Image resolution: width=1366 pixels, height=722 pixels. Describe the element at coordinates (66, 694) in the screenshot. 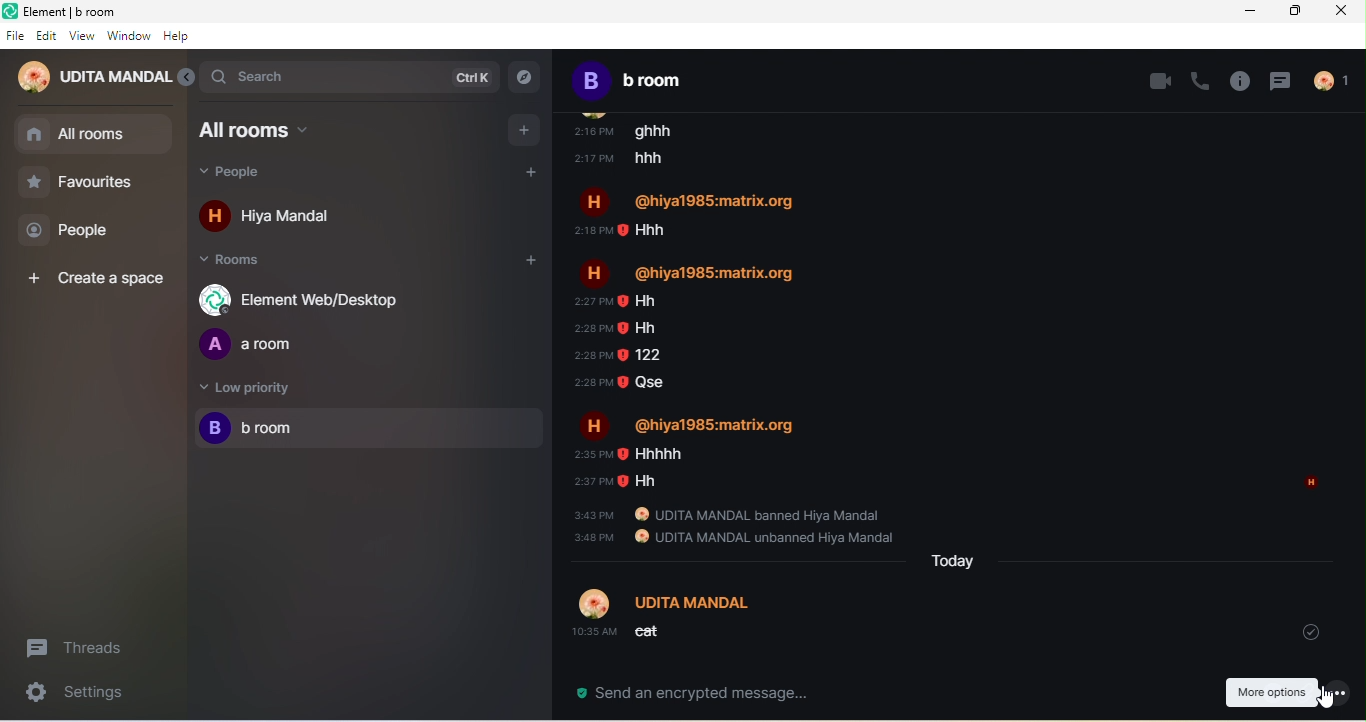

I see `settings` at that location.